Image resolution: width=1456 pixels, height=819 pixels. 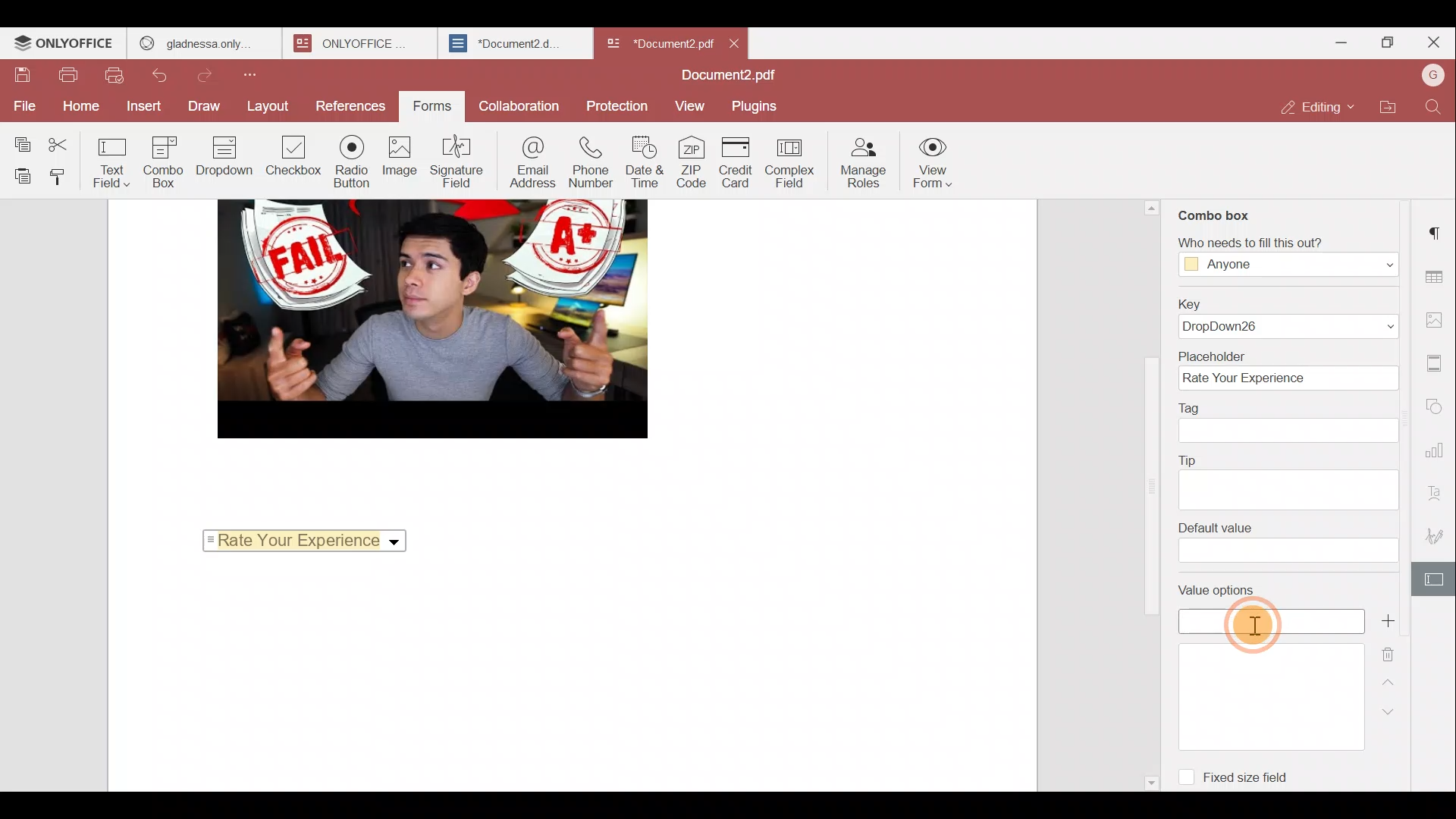 What do you see at coordinates (1437, 532) in the screenshot?
I see `Signature settings` at bounding box center [1437, 532].